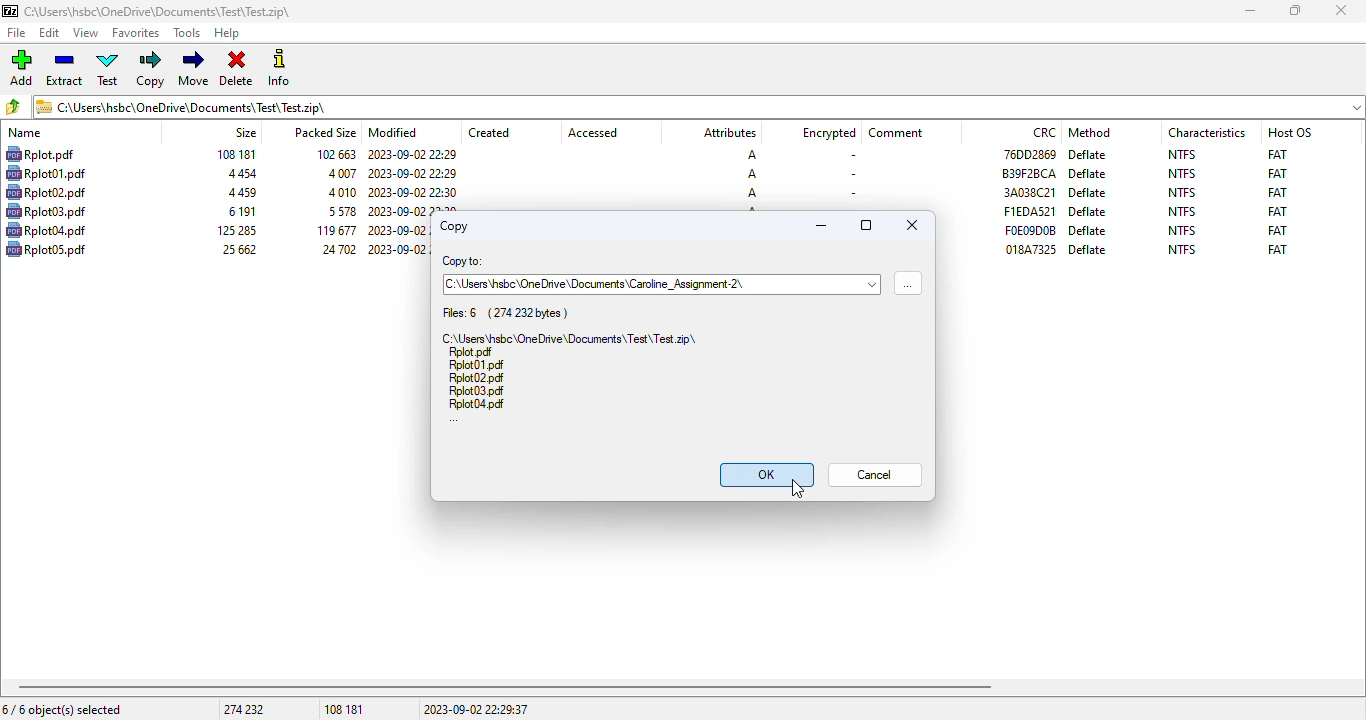  I want to click on favorites, so click(136, 33).